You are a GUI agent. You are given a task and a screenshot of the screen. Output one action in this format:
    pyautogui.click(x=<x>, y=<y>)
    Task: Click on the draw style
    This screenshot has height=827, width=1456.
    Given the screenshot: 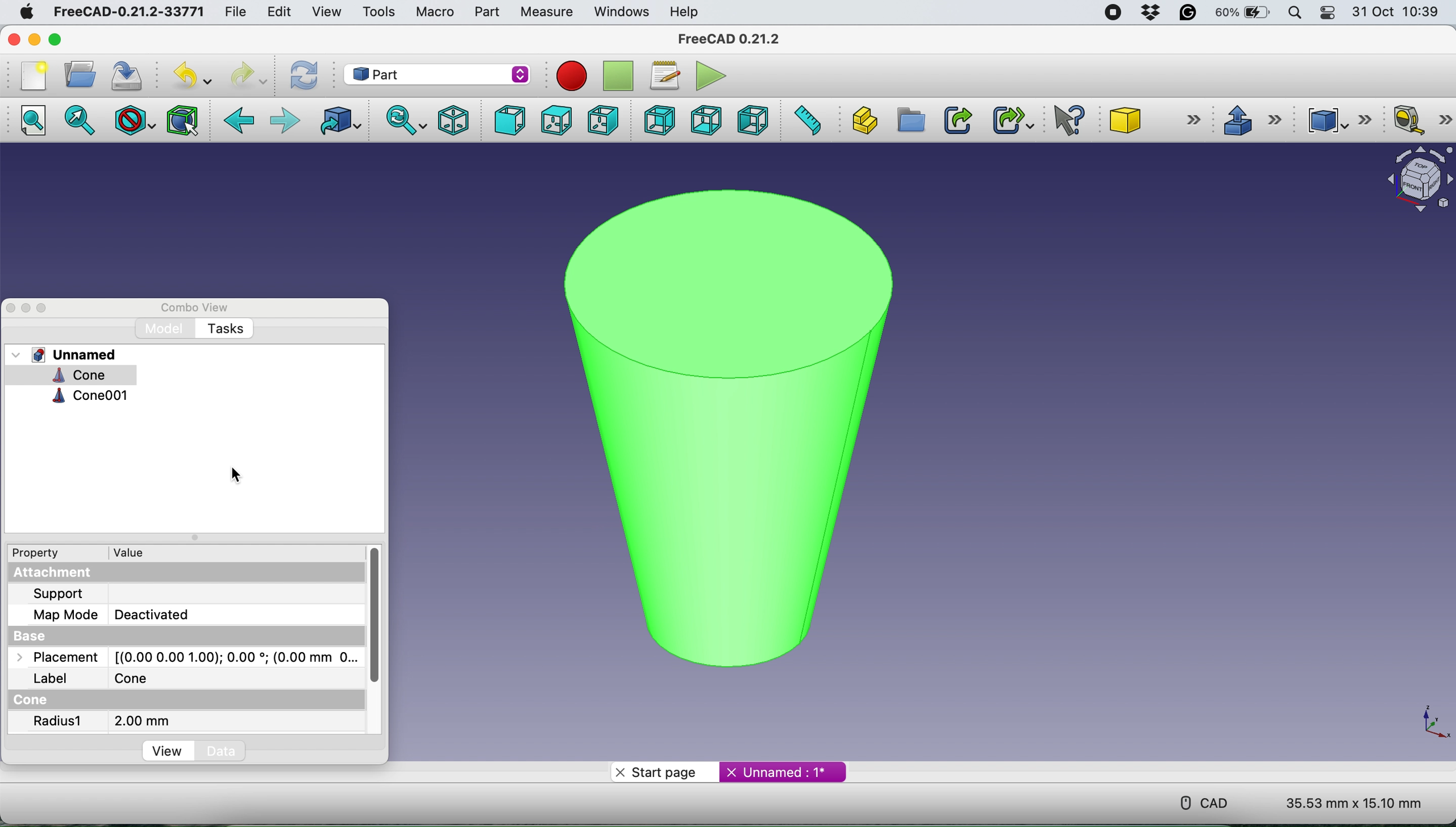 What is the action you would take?
    pyautogui.click(x=132, y=120)
    